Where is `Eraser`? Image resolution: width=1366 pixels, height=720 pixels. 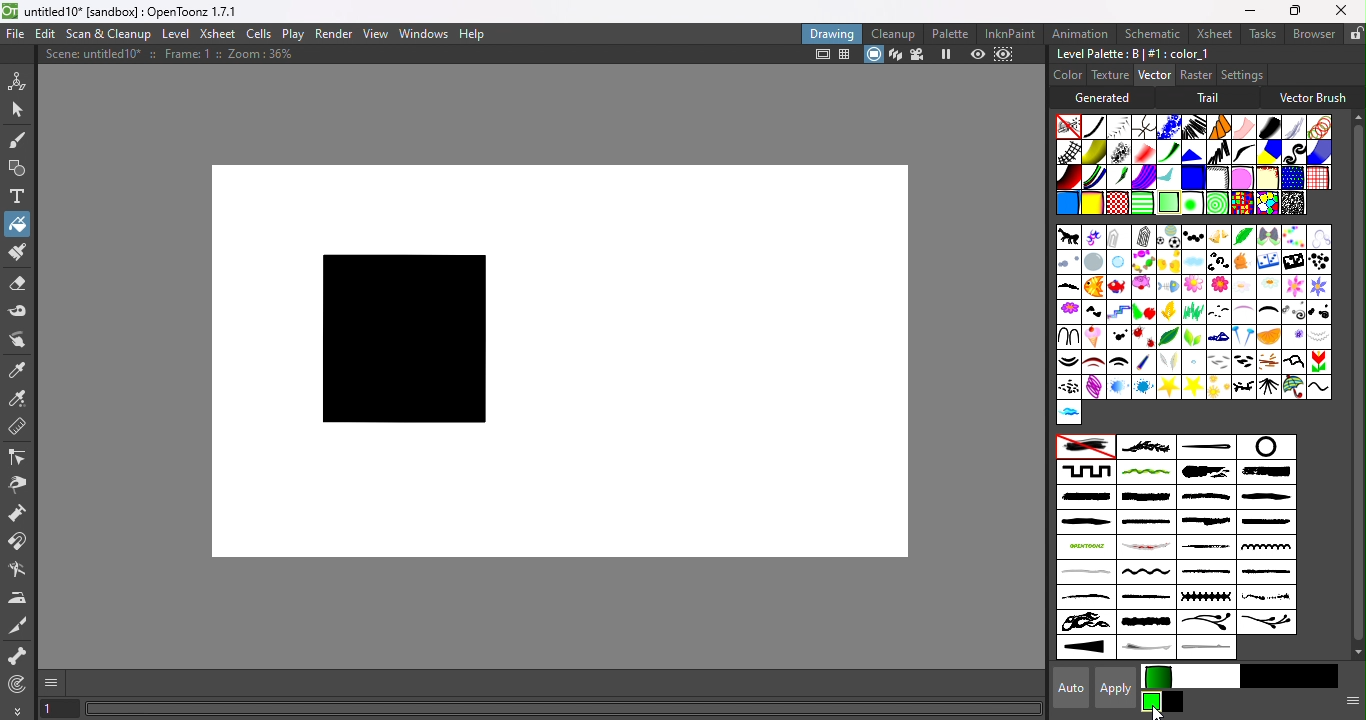
Eraser is located at coordinates (17, 287).